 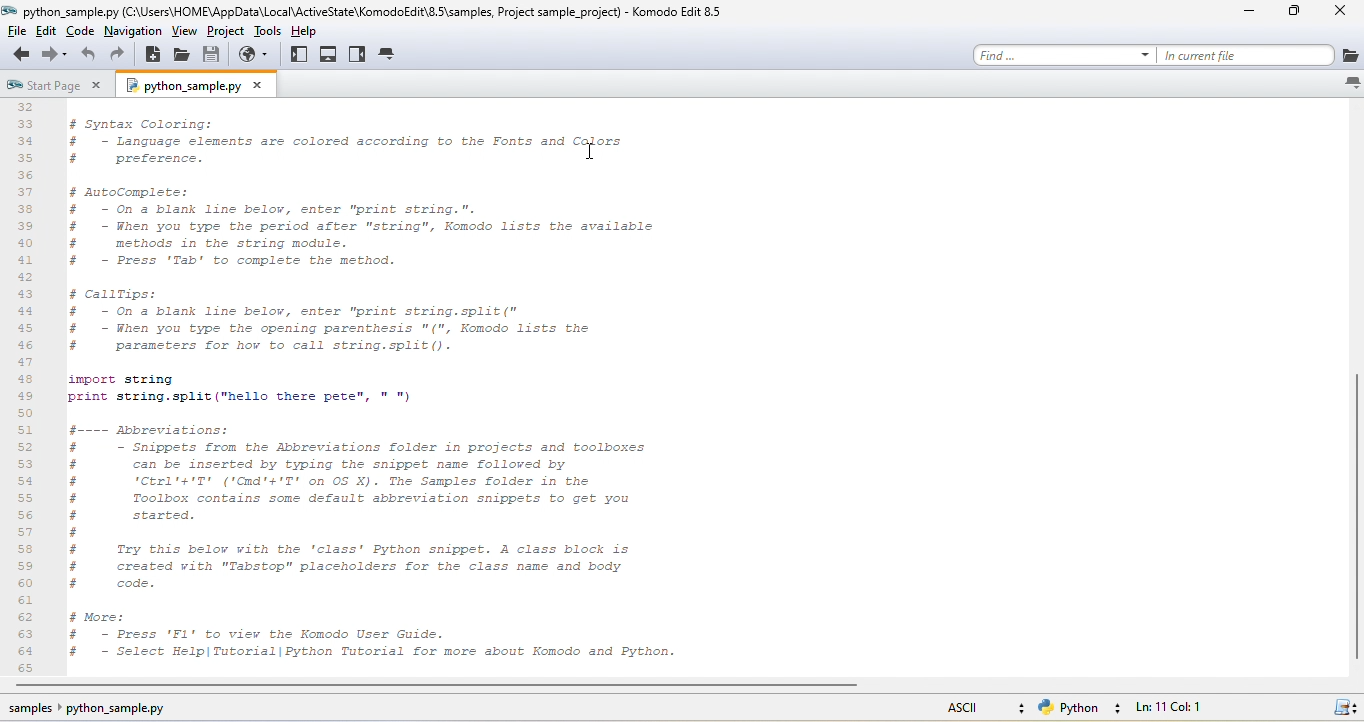 I want to click on navigation, so click(x=132, y=32).